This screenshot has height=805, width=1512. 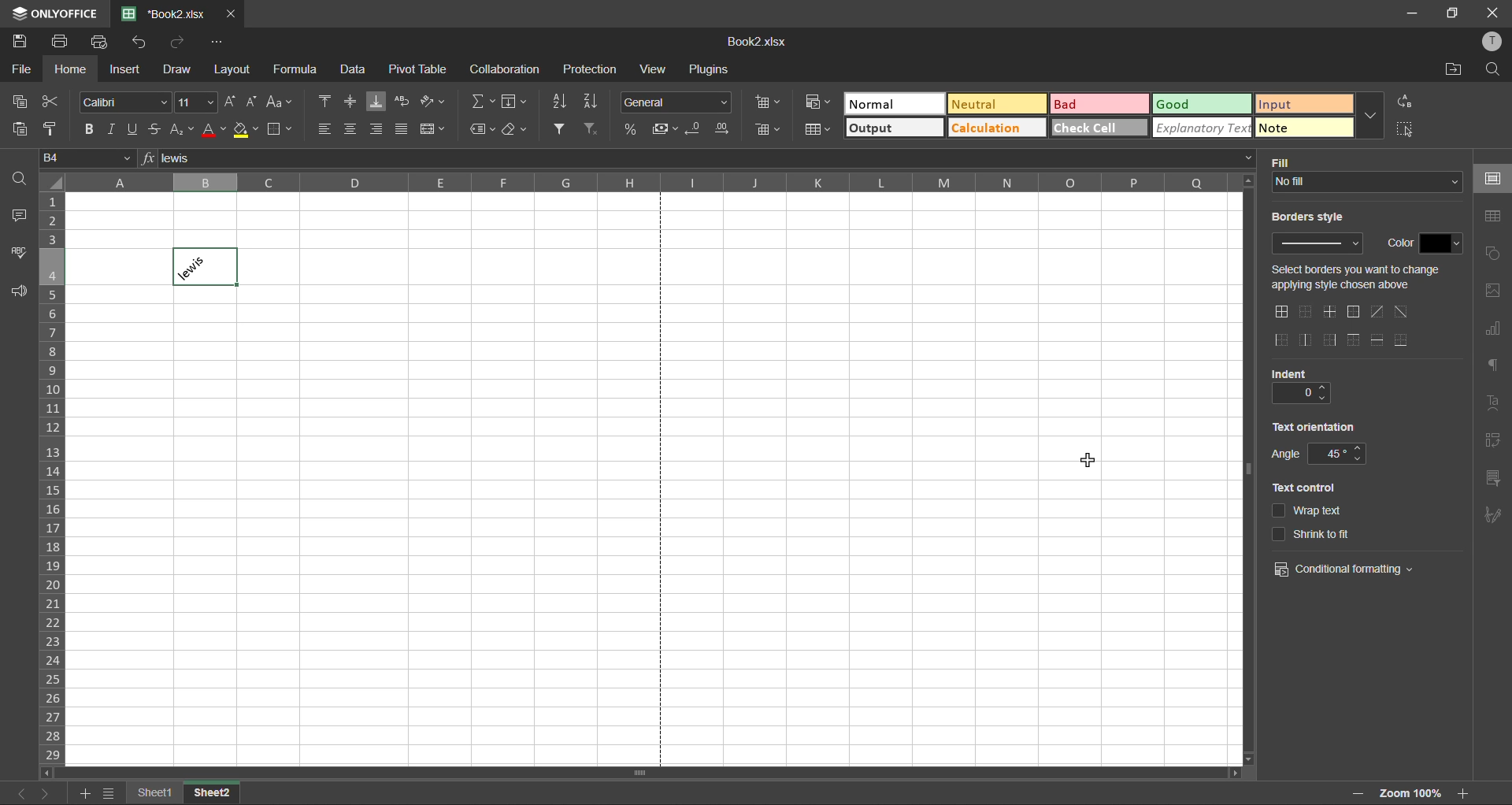 What do you see at coordinates (1492, 255) in the screenshot?
I see `shapes` at bounding box center [1492, 255].